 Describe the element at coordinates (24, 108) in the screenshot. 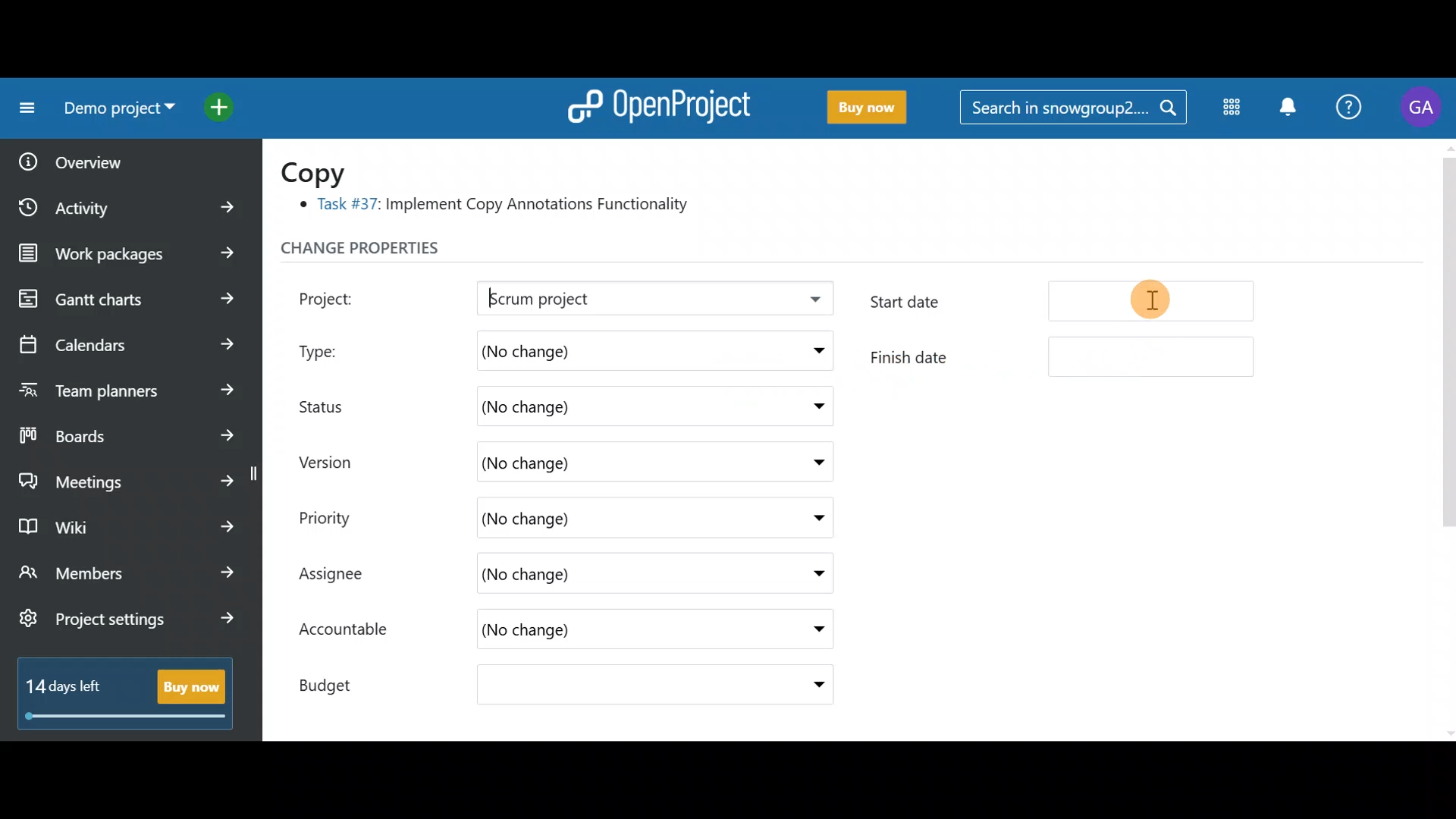

I see `Collapse project menu` at that location.